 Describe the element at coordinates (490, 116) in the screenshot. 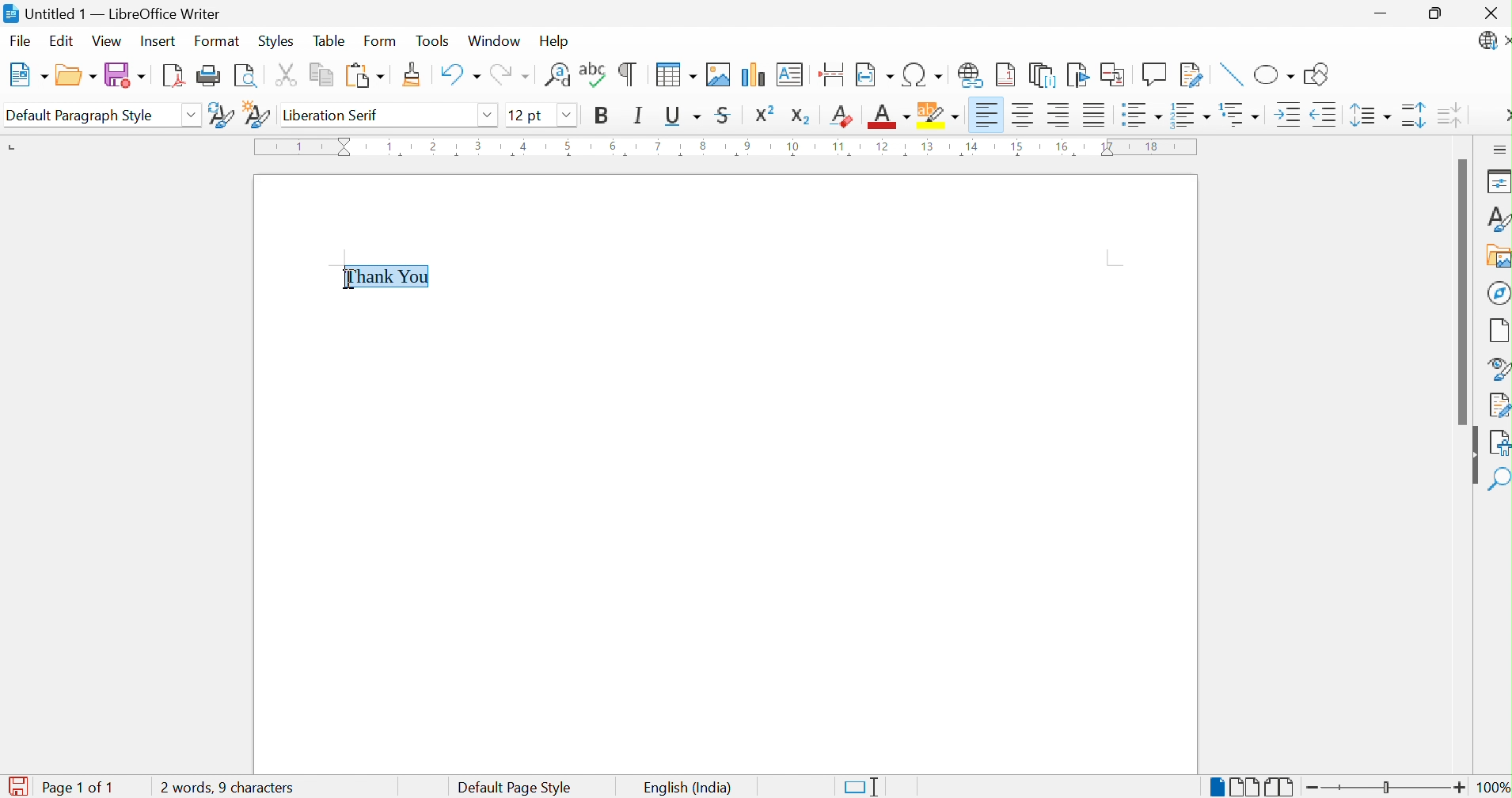

I see `Drop Down` at that location.